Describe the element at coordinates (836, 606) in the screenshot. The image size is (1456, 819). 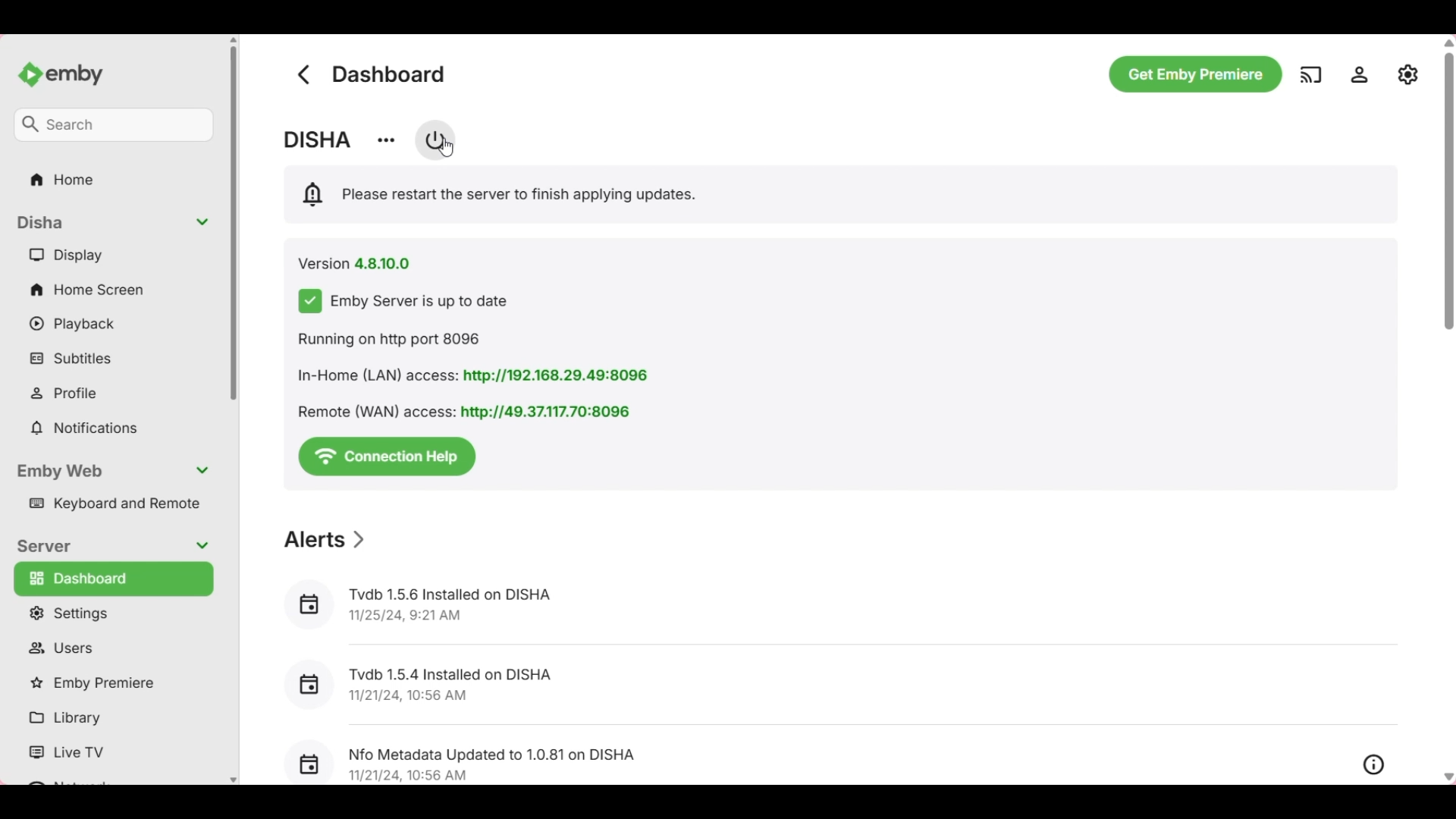
I see `Recent alert` at that location.